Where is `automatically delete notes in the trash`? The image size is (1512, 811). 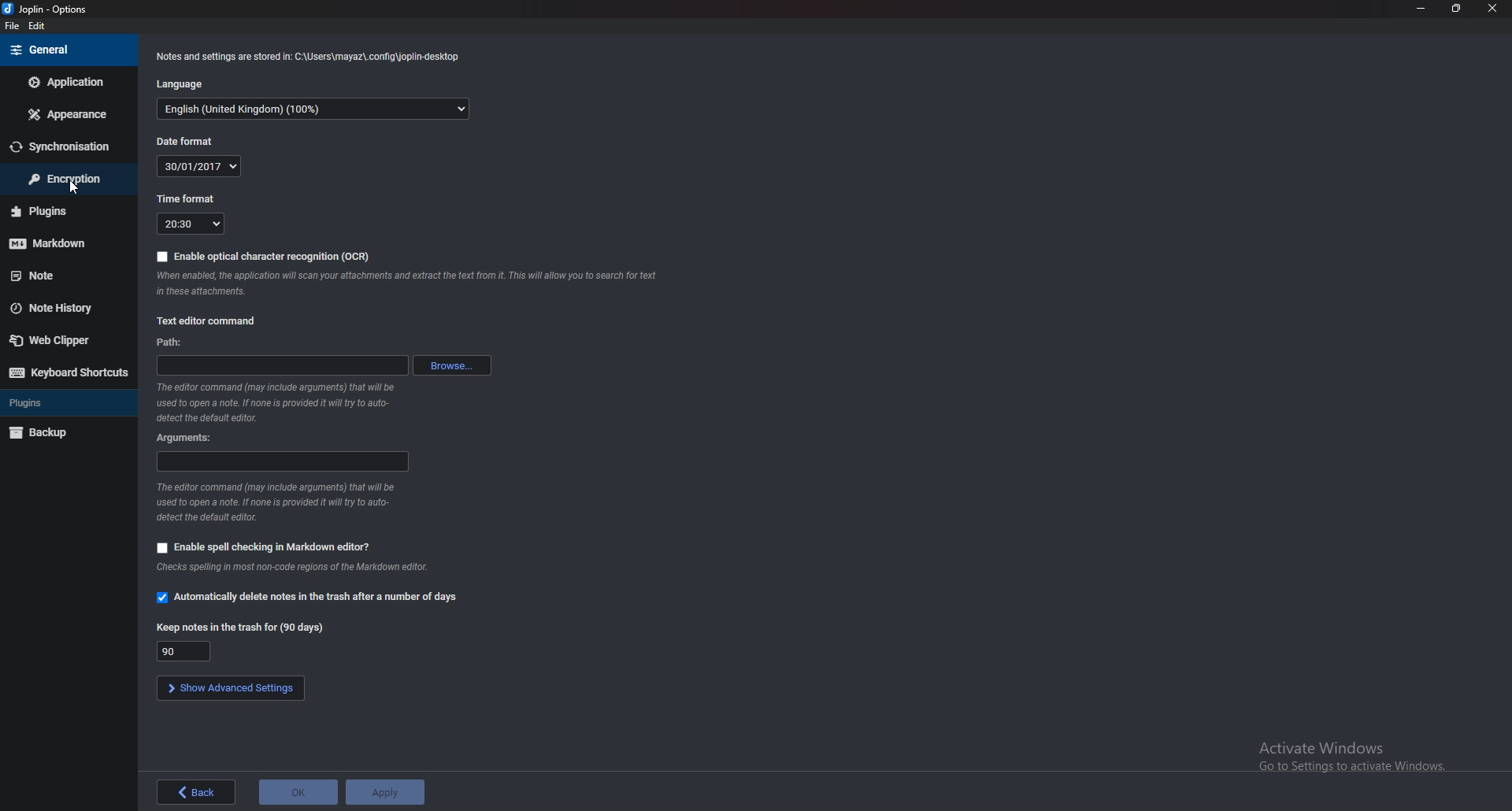
automatically delete notes in the trash is located at coordinates (309, 599).